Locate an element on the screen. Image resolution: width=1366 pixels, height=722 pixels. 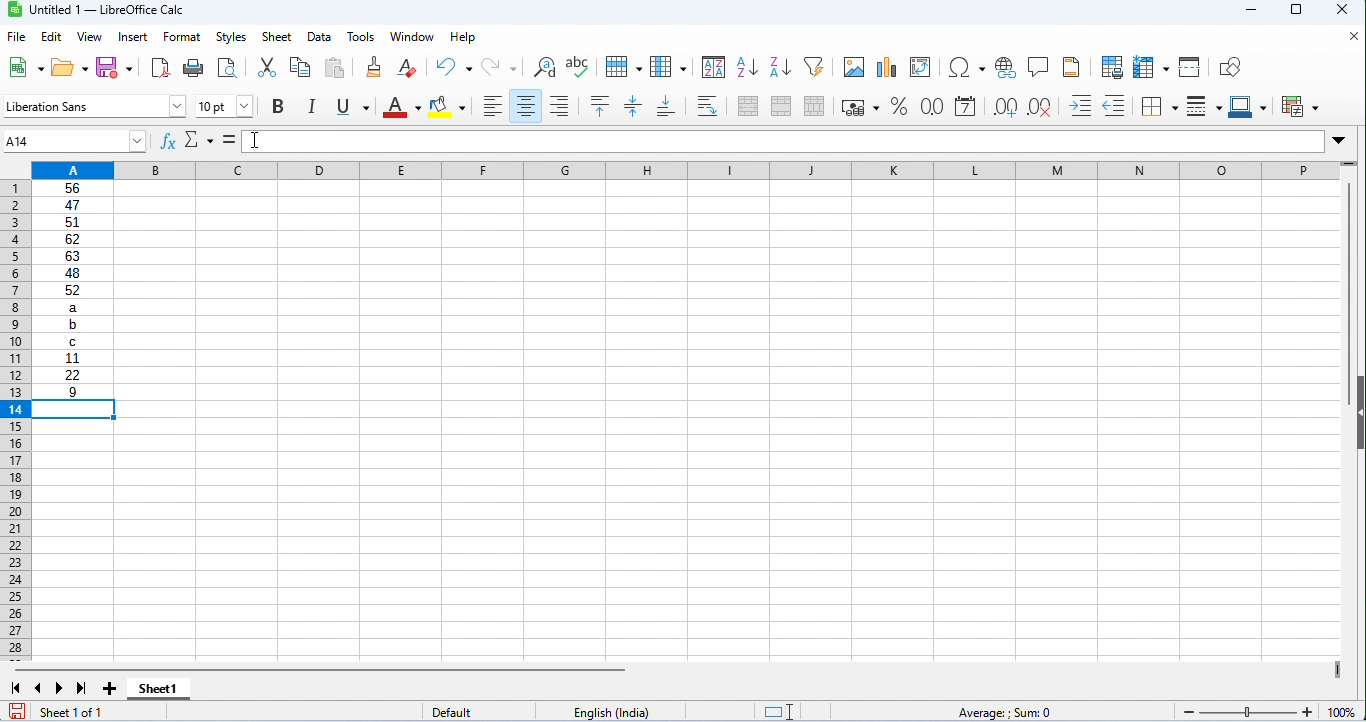
edit is located at coordinates (51, 36).